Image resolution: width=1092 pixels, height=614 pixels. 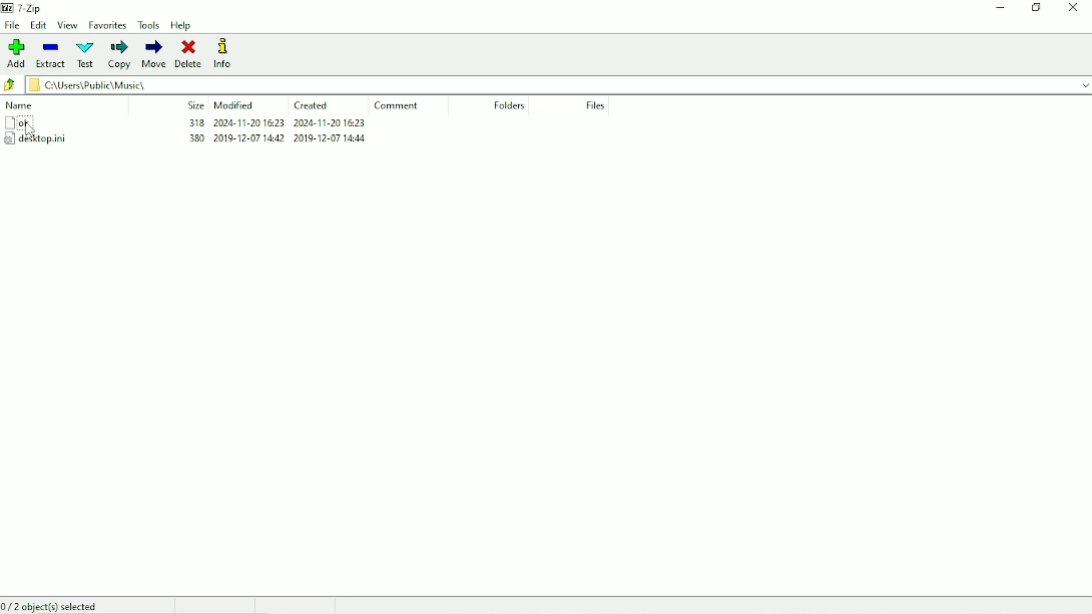 What do you see at coordinates (50, 55) in the screenshot?
I see `Extract` at bounding box center [50, 55].